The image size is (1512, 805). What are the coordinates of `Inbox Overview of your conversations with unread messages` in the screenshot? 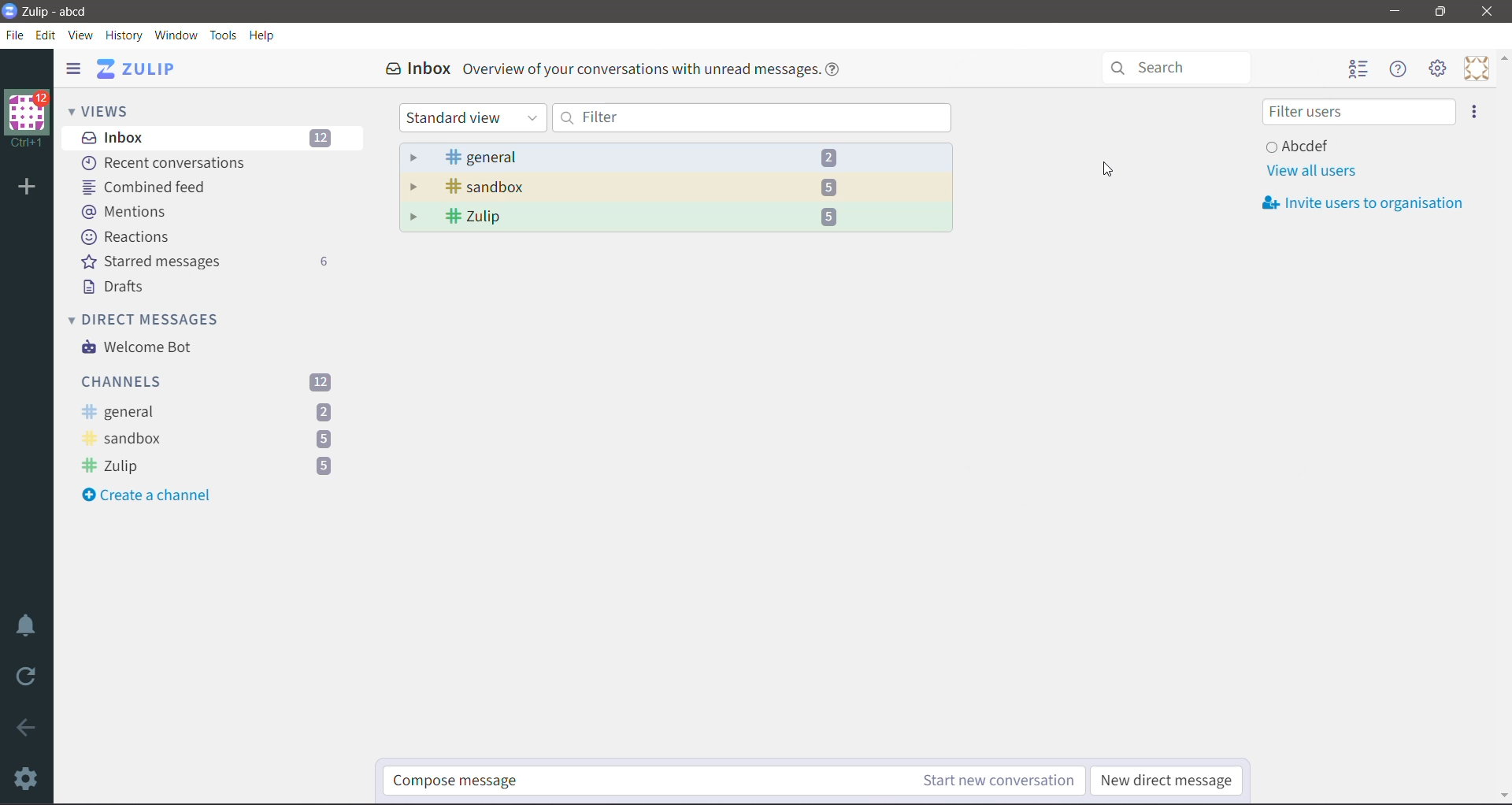 It's located at (613, 70).